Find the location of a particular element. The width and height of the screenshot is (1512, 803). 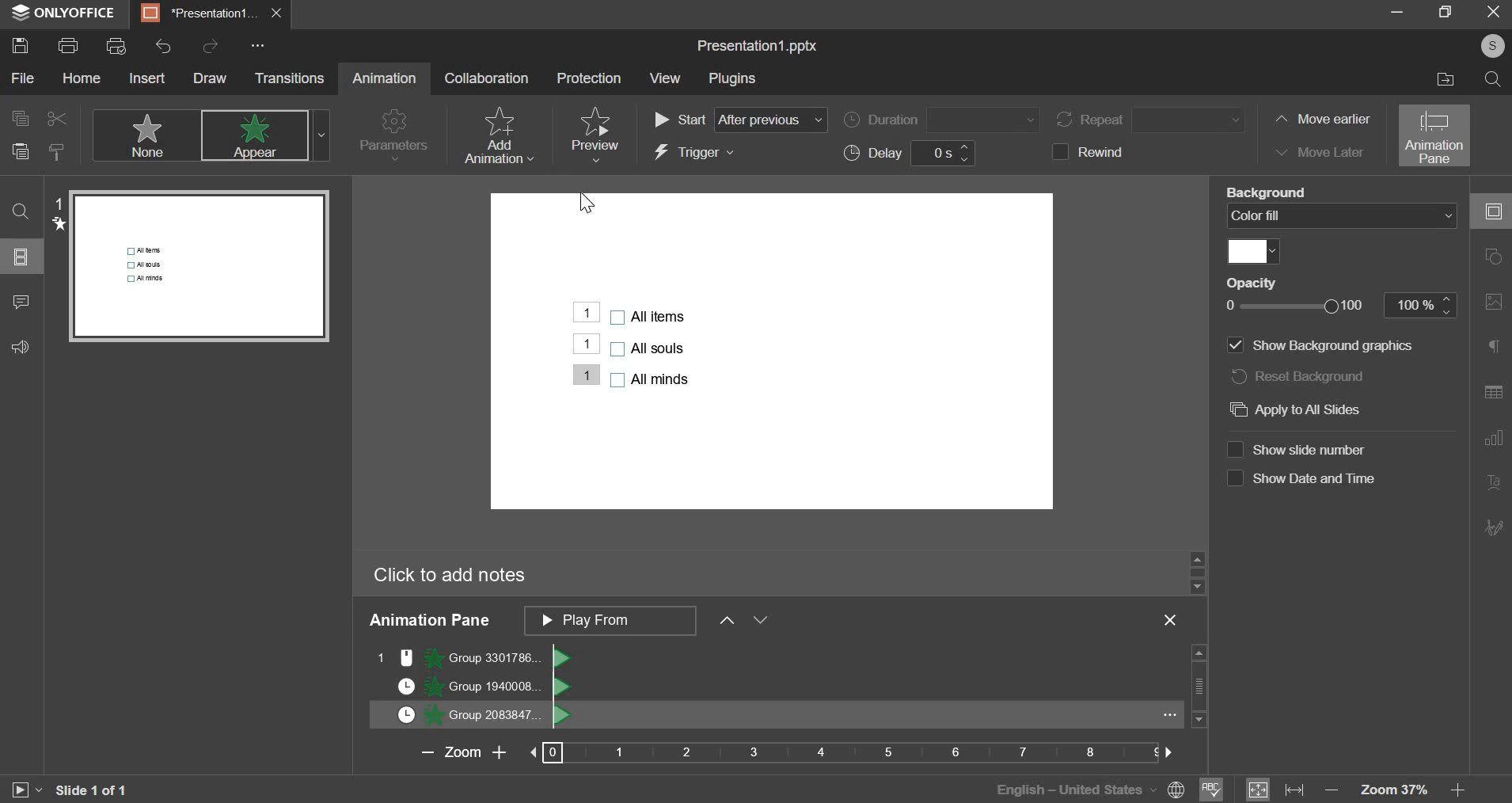

animation pane is located at coordinates (664, 622).